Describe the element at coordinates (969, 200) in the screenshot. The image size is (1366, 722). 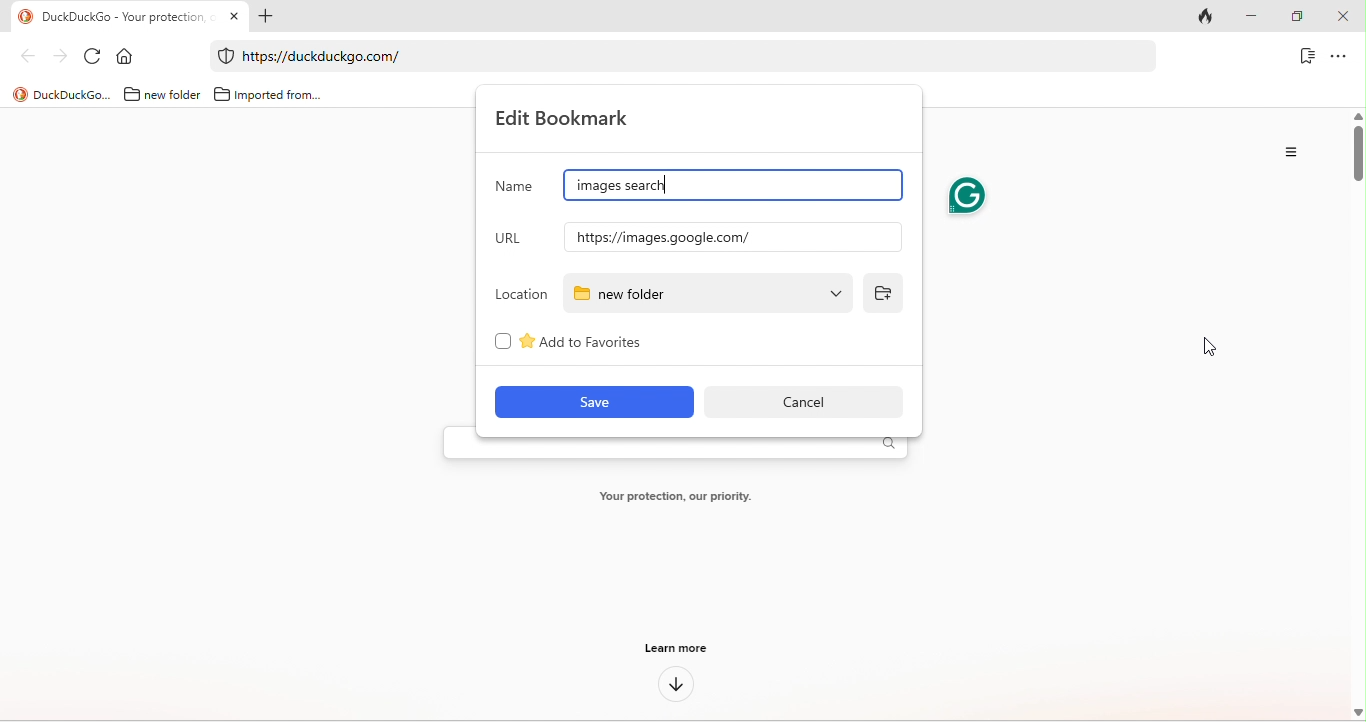
I see `grammarly` at that location.